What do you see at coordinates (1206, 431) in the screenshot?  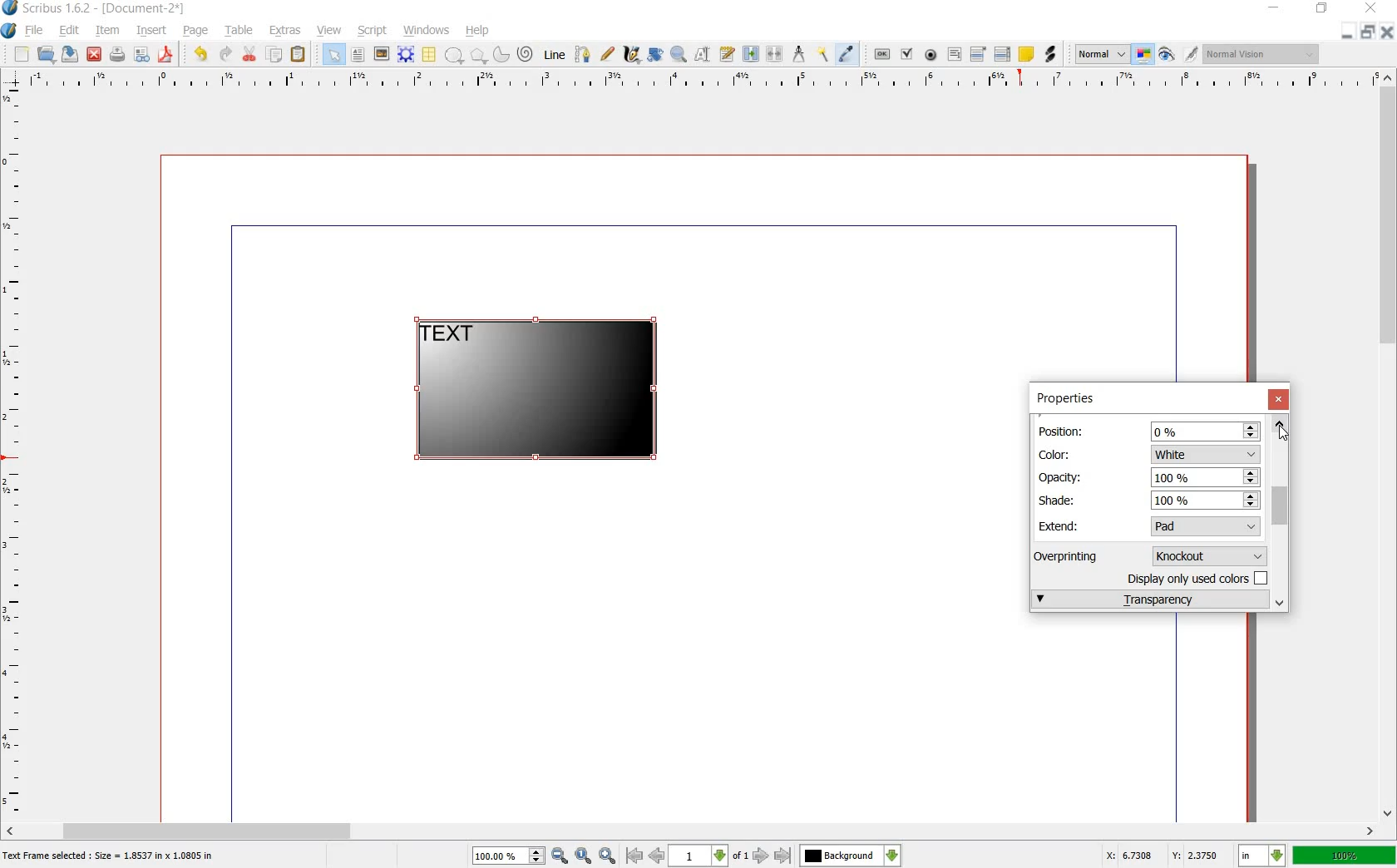 I see `0%` at bounding box center [1206, 431].